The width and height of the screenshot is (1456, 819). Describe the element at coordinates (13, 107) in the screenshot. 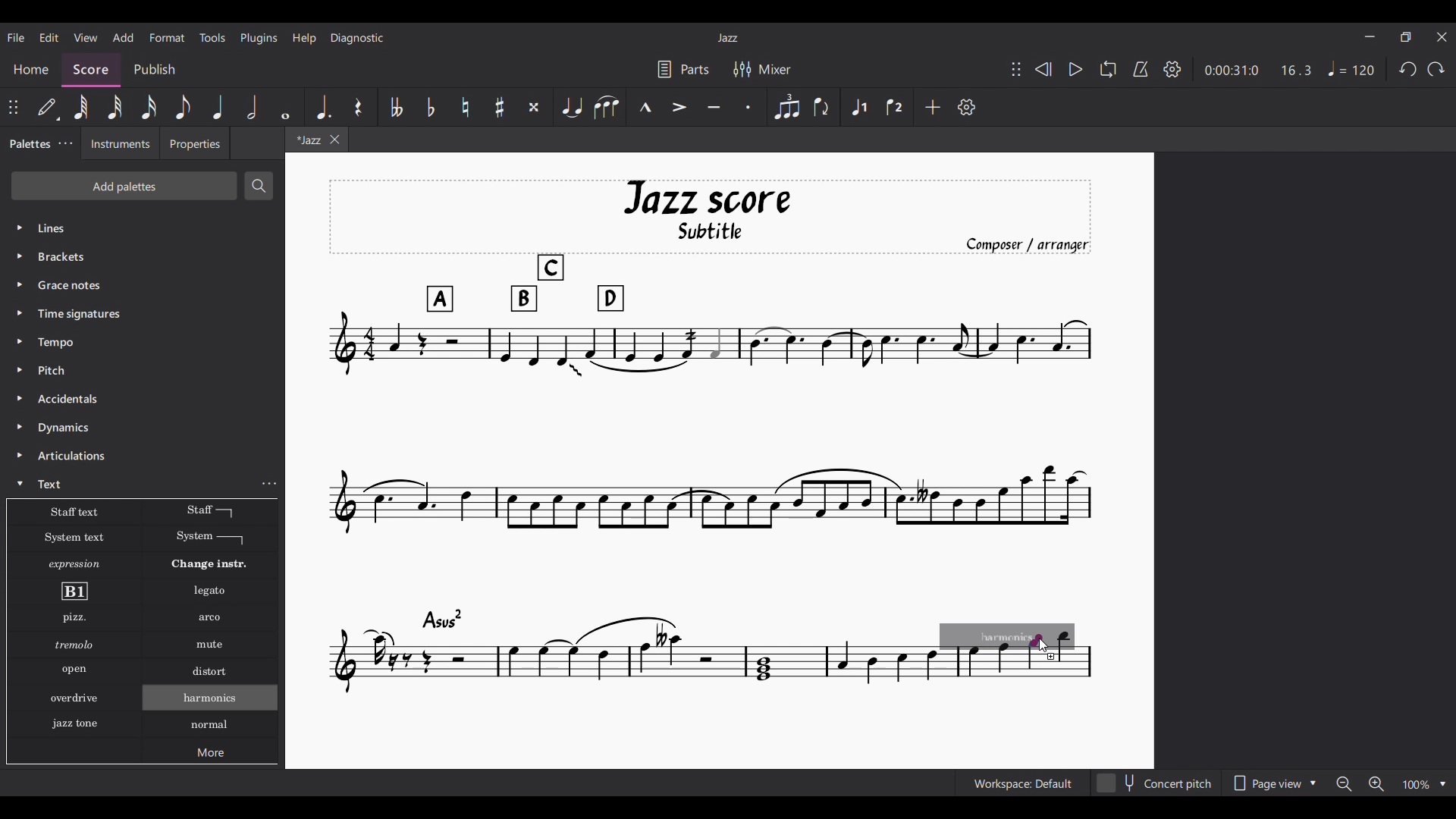

I see `Change position` at that location.